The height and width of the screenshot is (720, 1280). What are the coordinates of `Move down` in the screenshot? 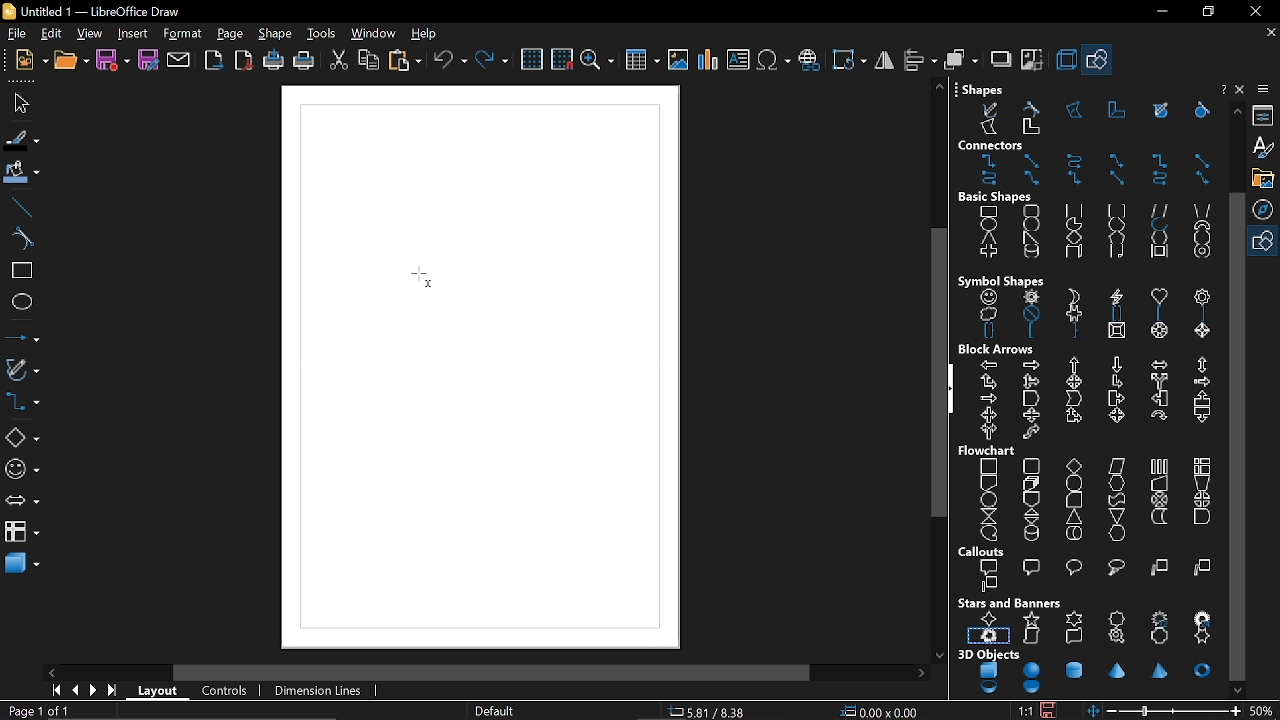 It's located at (1239, 690).